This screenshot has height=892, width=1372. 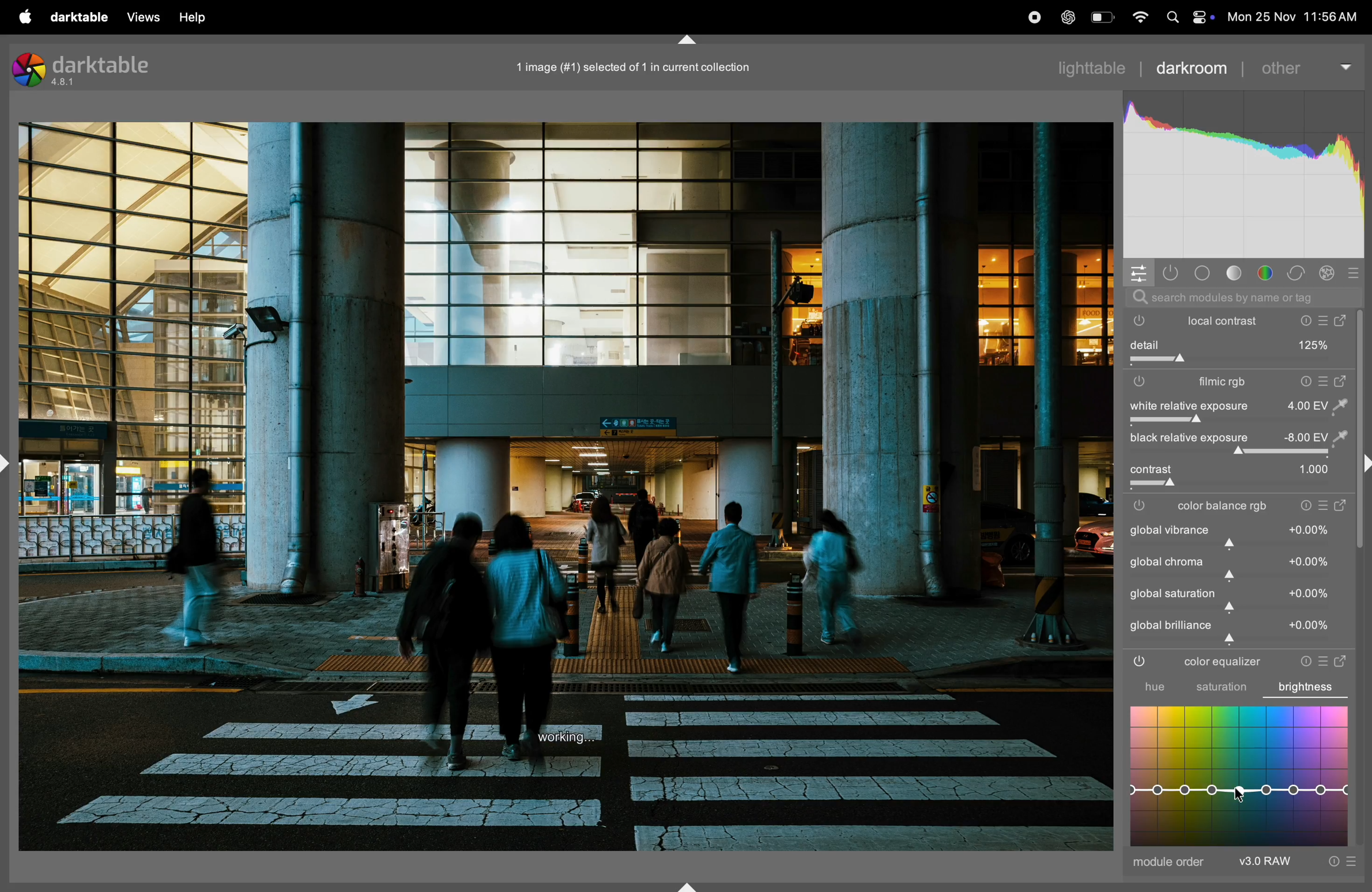 I want to click on correct, so click(x=1299, y=271).